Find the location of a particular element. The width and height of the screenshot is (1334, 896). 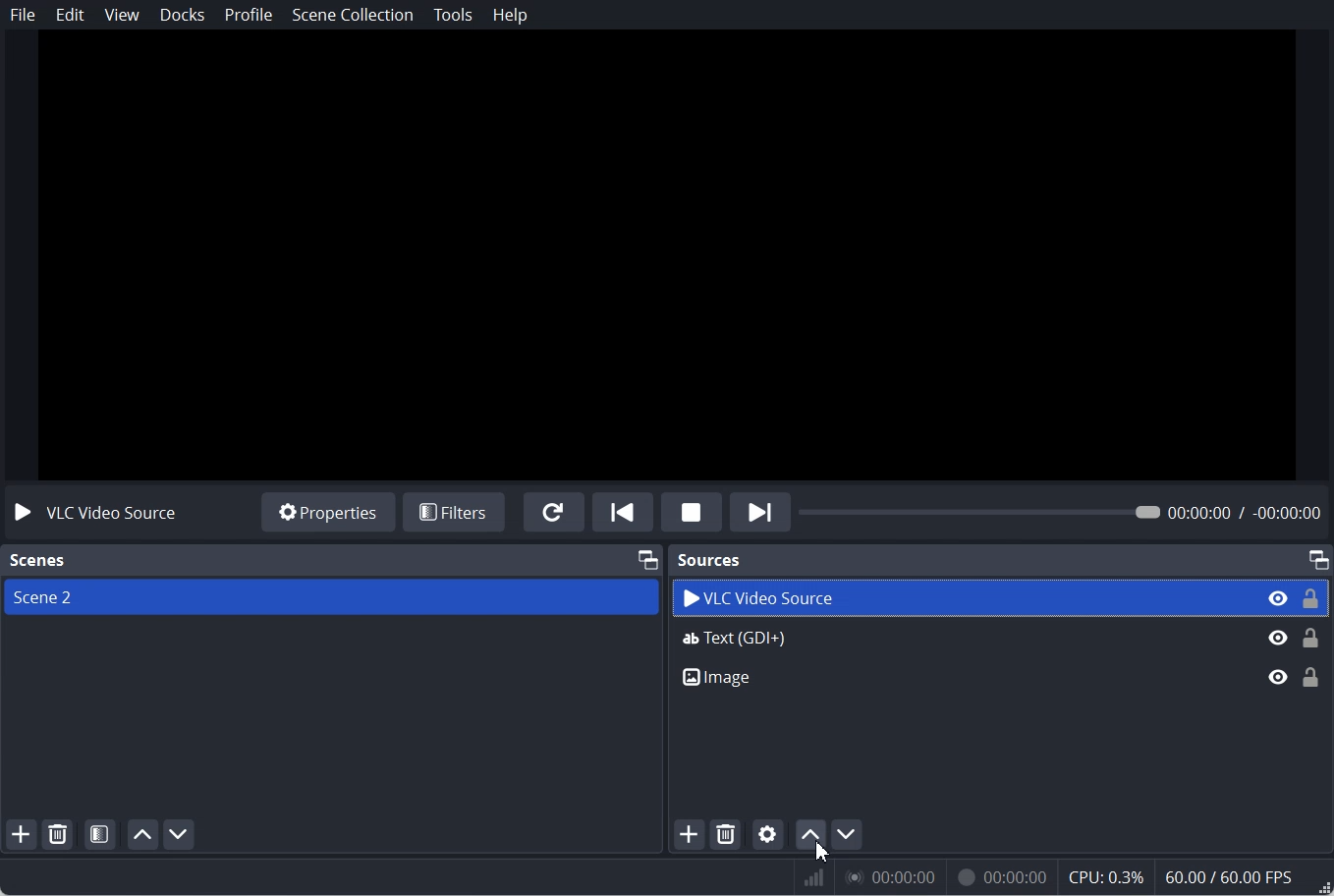

Move source down is located at coordinates (857, 840).